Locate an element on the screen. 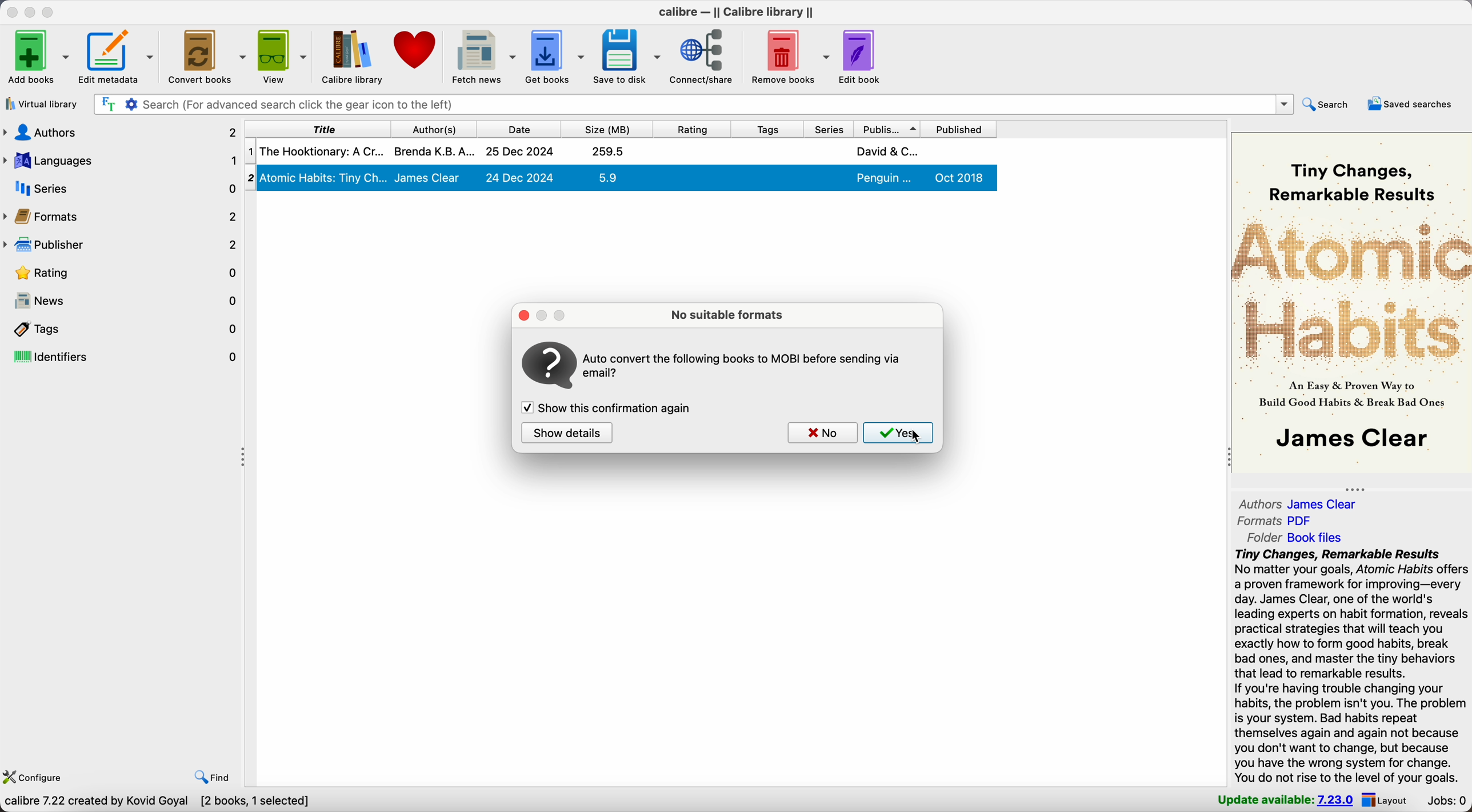  fetch news is located at coordinates (484, 56).